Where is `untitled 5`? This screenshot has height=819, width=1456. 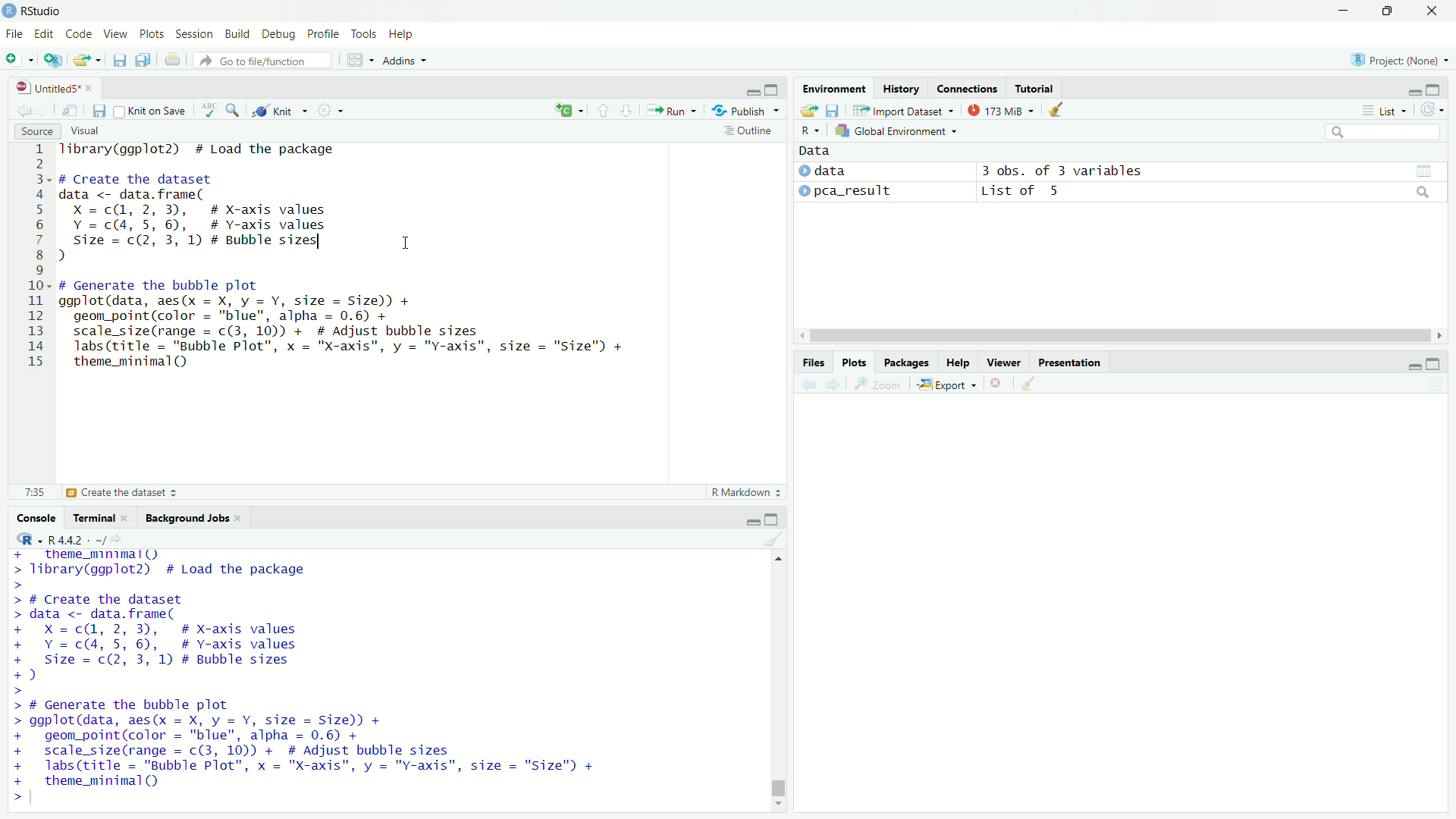 untitled 5 is located at coordinates (51, 88).